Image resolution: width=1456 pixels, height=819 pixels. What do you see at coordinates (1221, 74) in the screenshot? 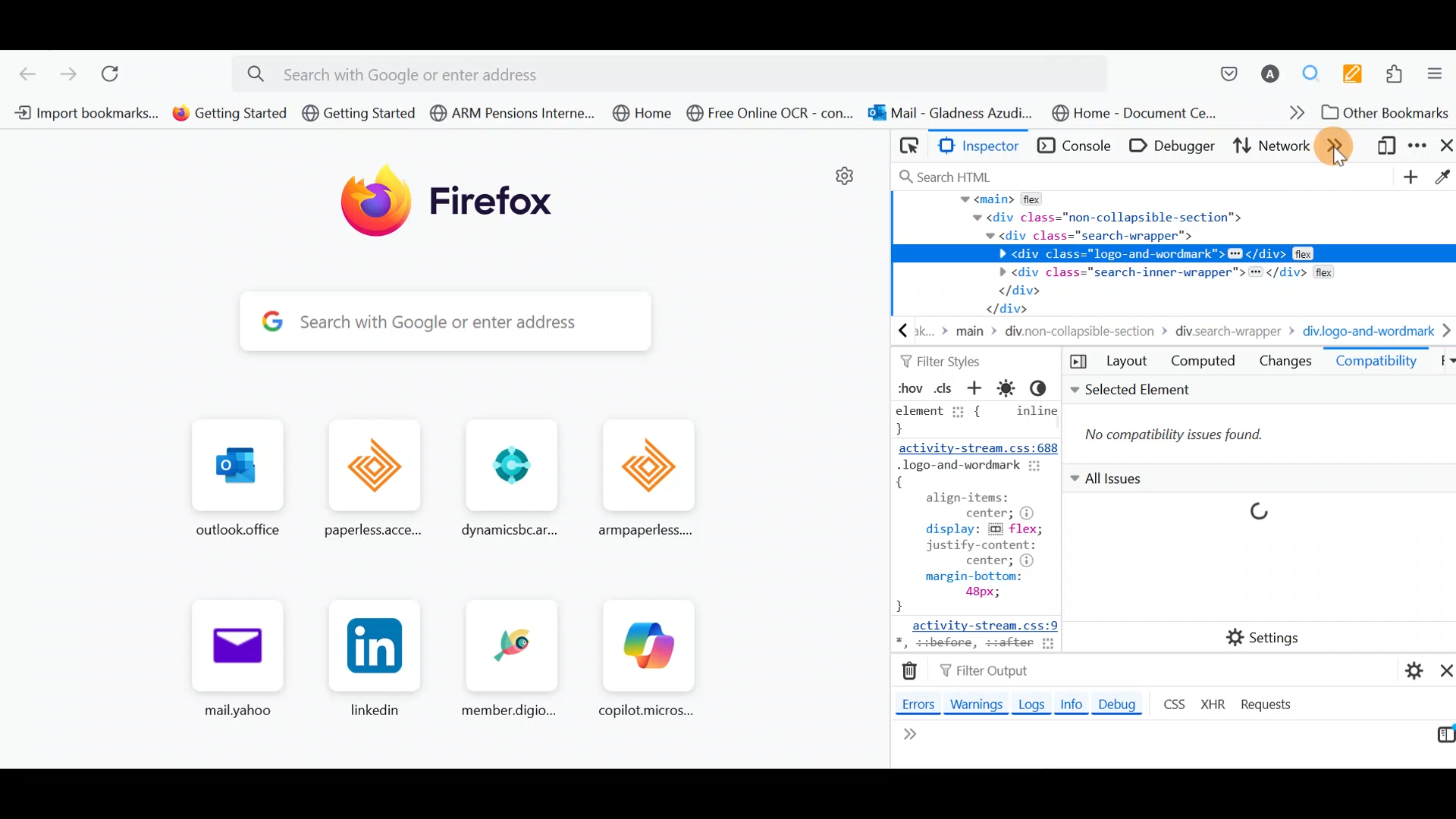
I see `Save to pocket` at bounding box center [1221, 74].